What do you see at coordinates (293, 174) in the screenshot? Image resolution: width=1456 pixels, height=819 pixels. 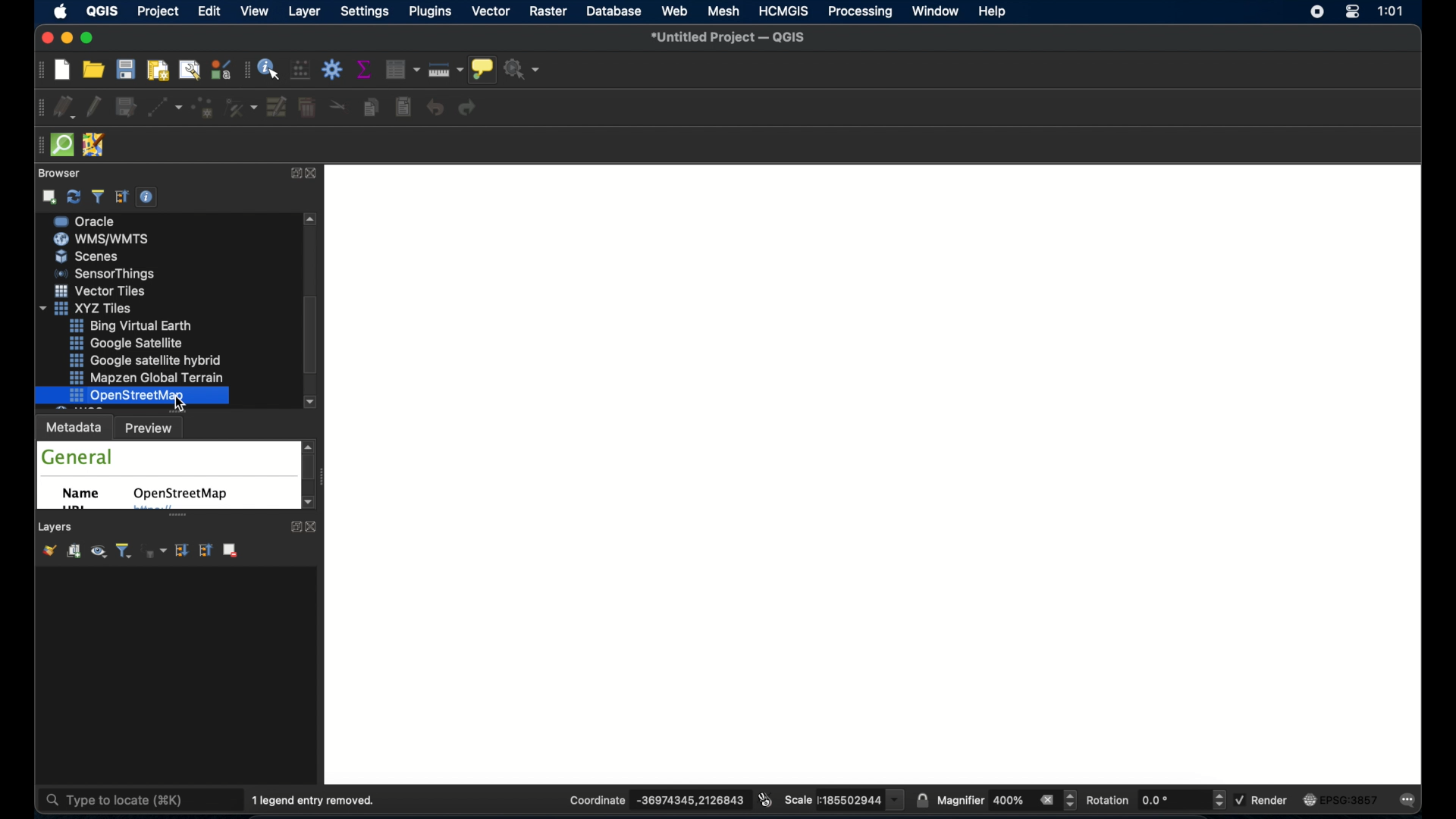 I see `expand` at bounding box center [293, 174].